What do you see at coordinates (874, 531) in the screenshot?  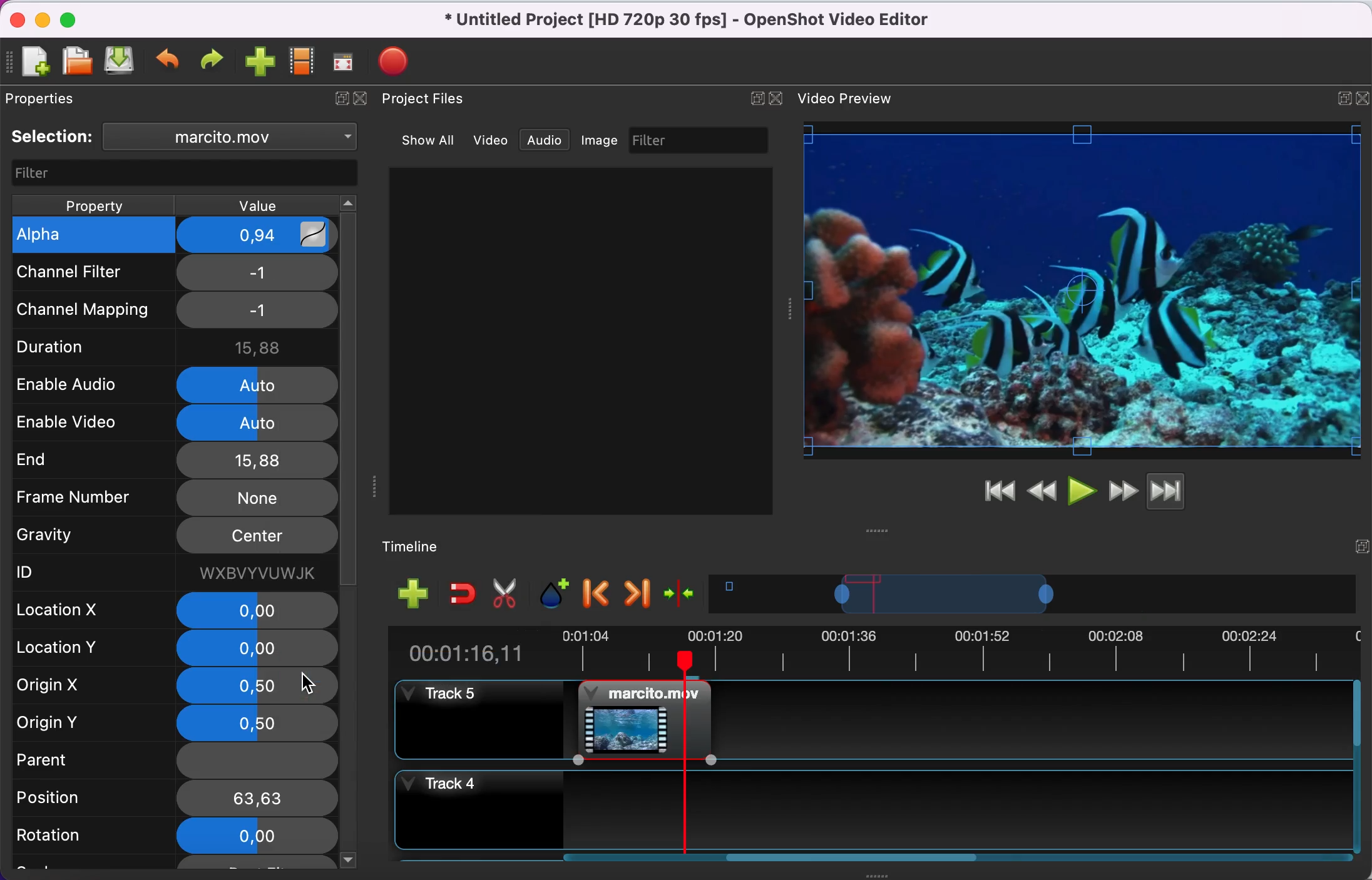 I see `move` at bounding box center [874, 531].